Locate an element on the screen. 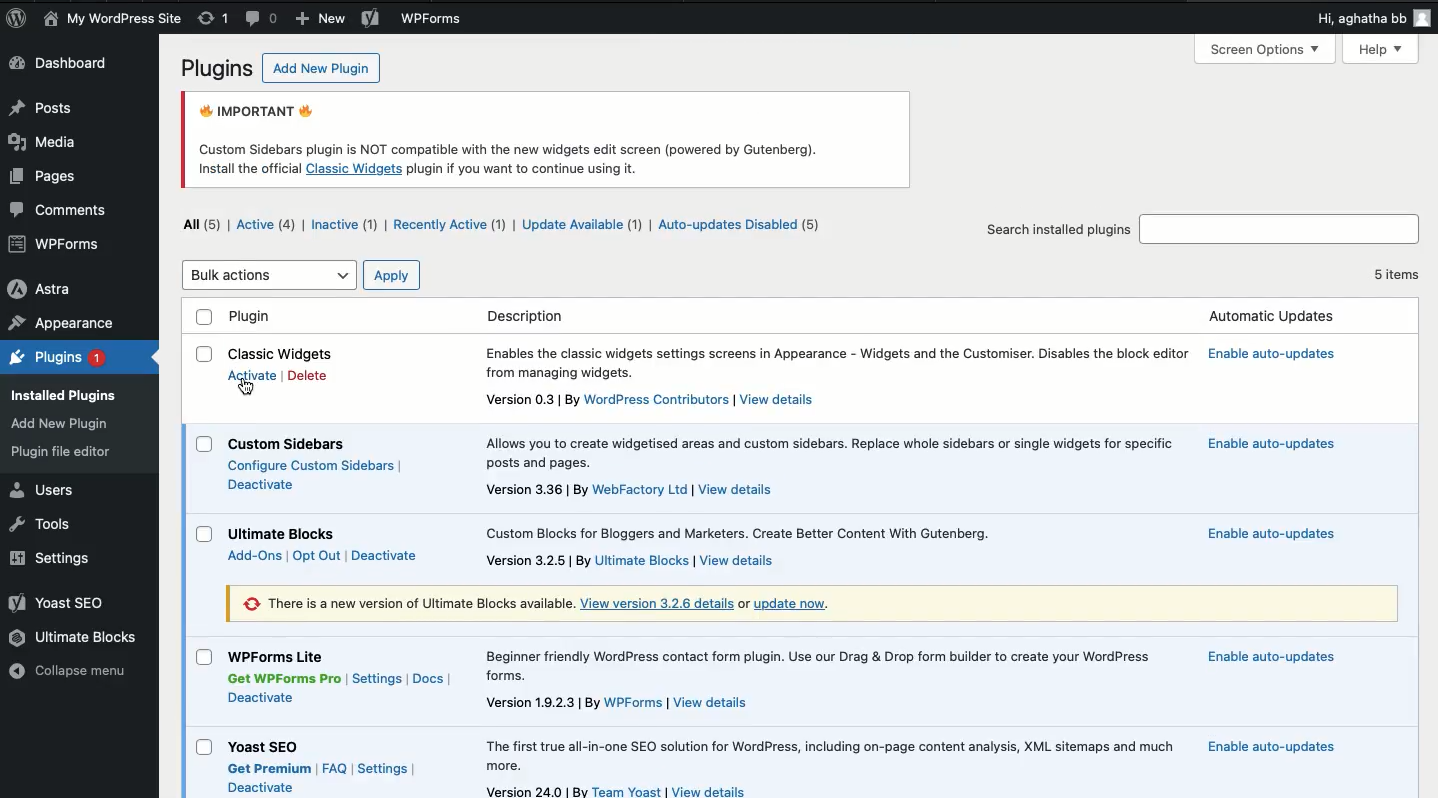  version is located at coordinates (539, 561).